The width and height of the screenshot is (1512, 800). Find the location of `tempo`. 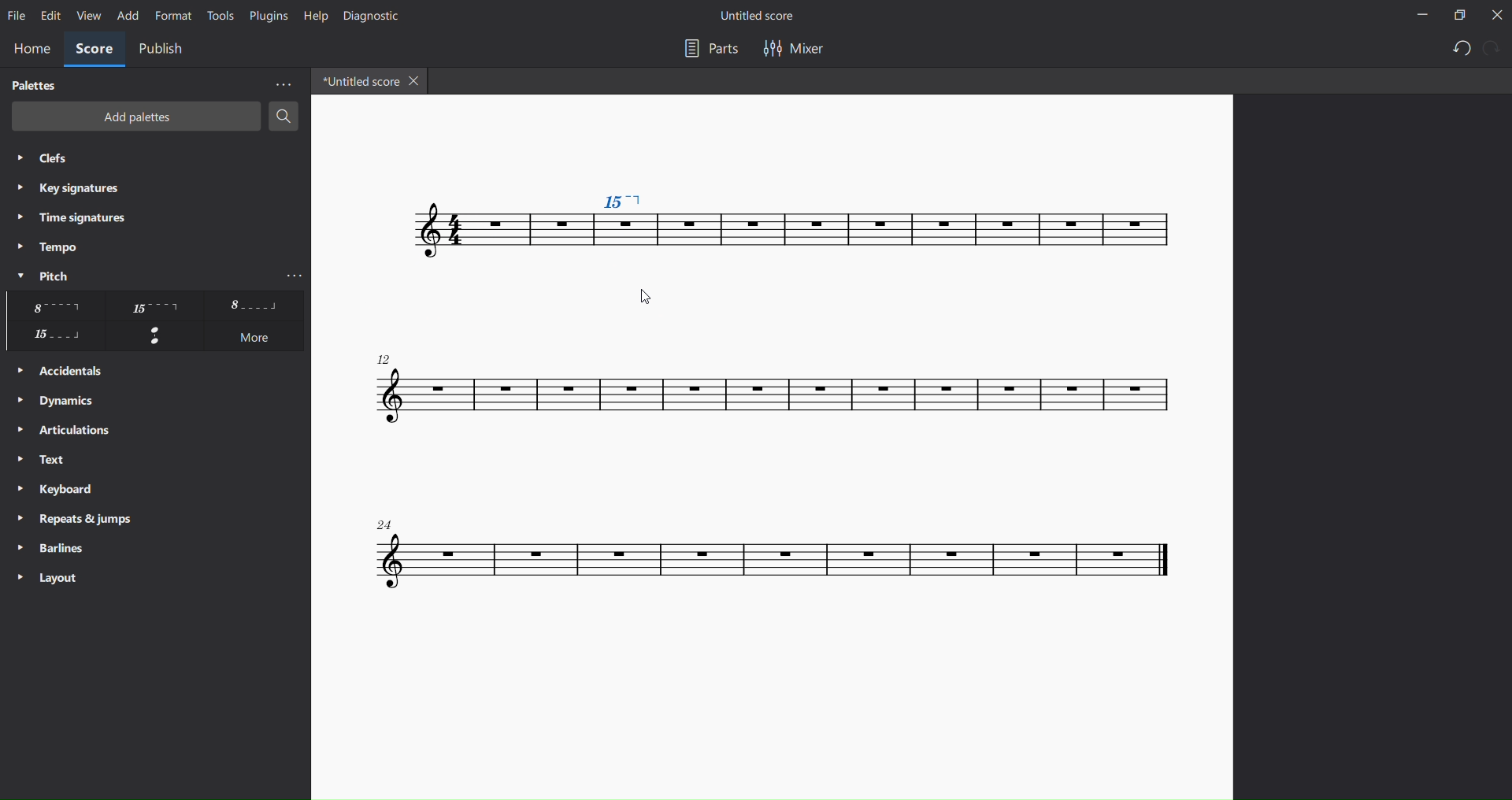

tempo is located at coordinates (50, 246).